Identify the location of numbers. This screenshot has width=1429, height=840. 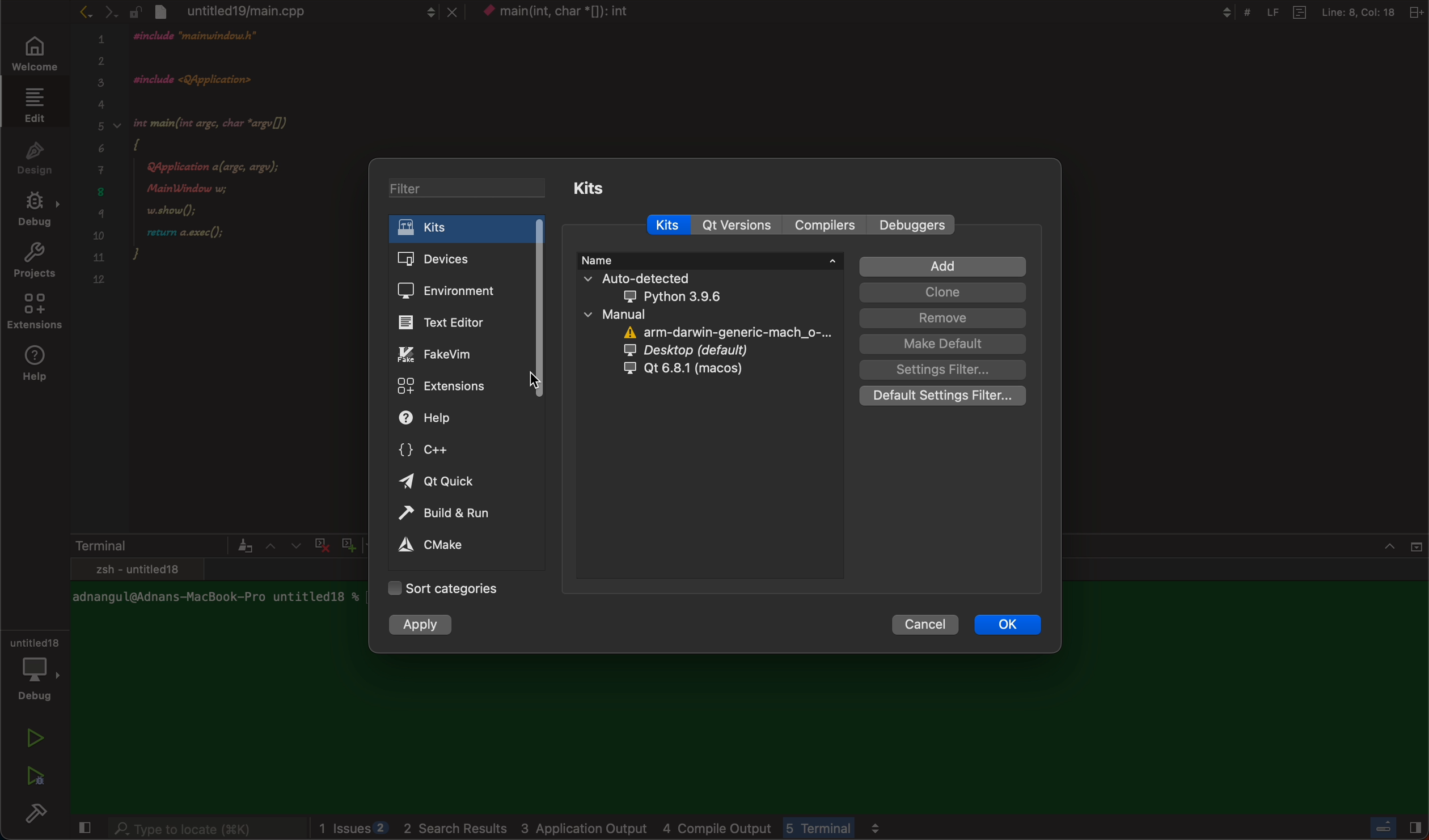
(100, 166).